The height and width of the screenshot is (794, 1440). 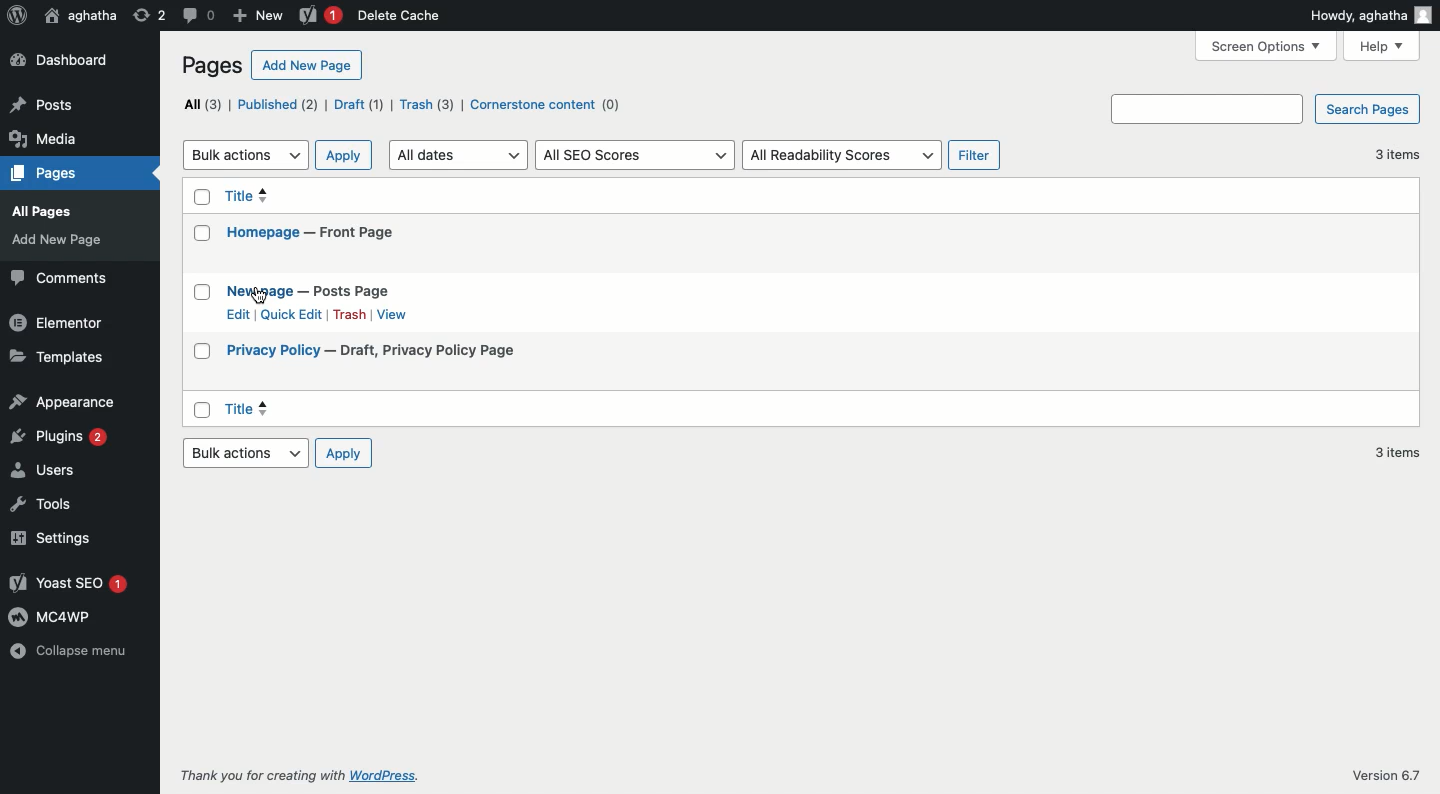 I want to click on 3 items, so click(x=1397, y=156).